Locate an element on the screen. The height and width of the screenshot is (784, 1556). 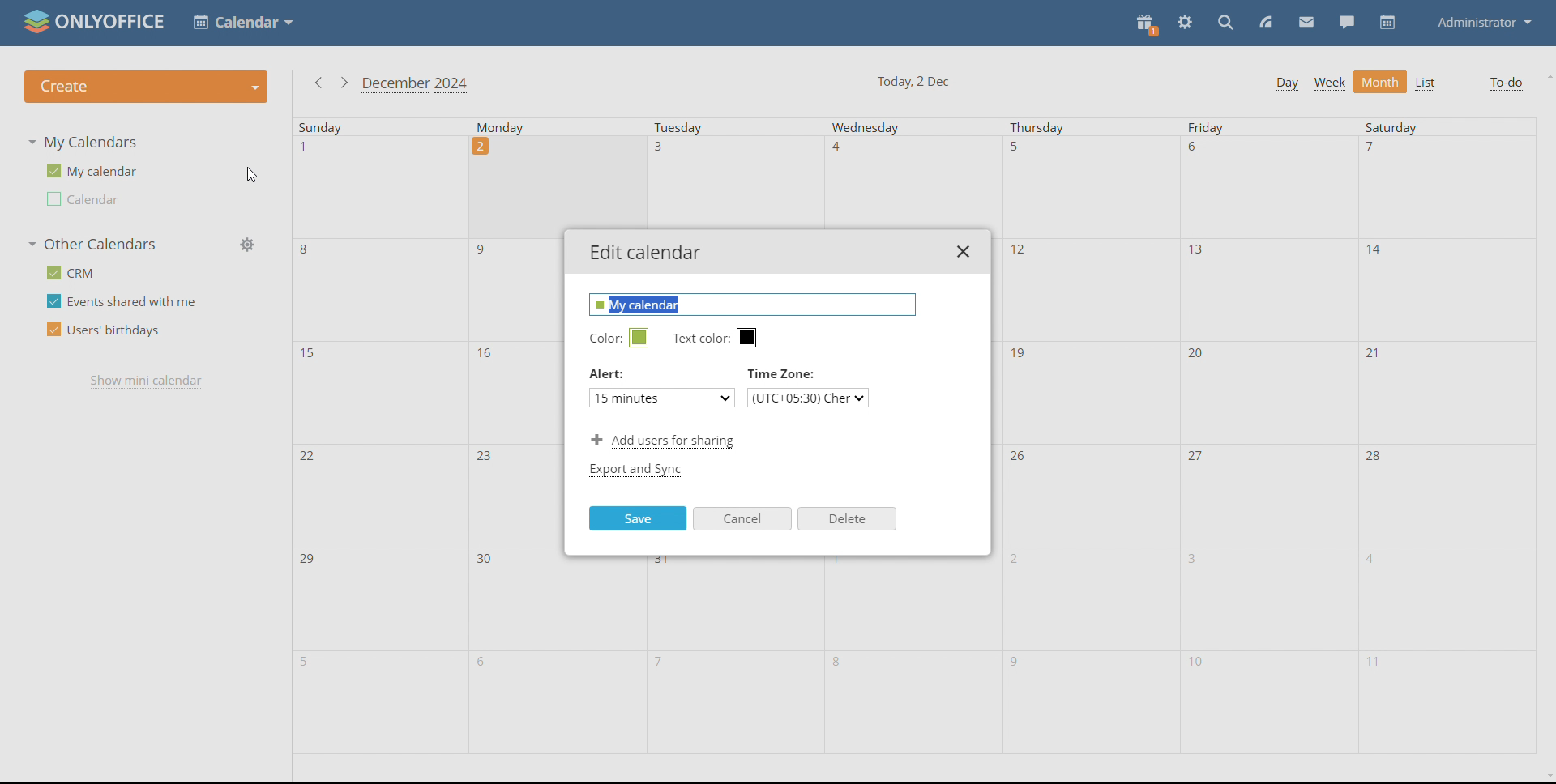
monday is located at coordinates (543, 127).